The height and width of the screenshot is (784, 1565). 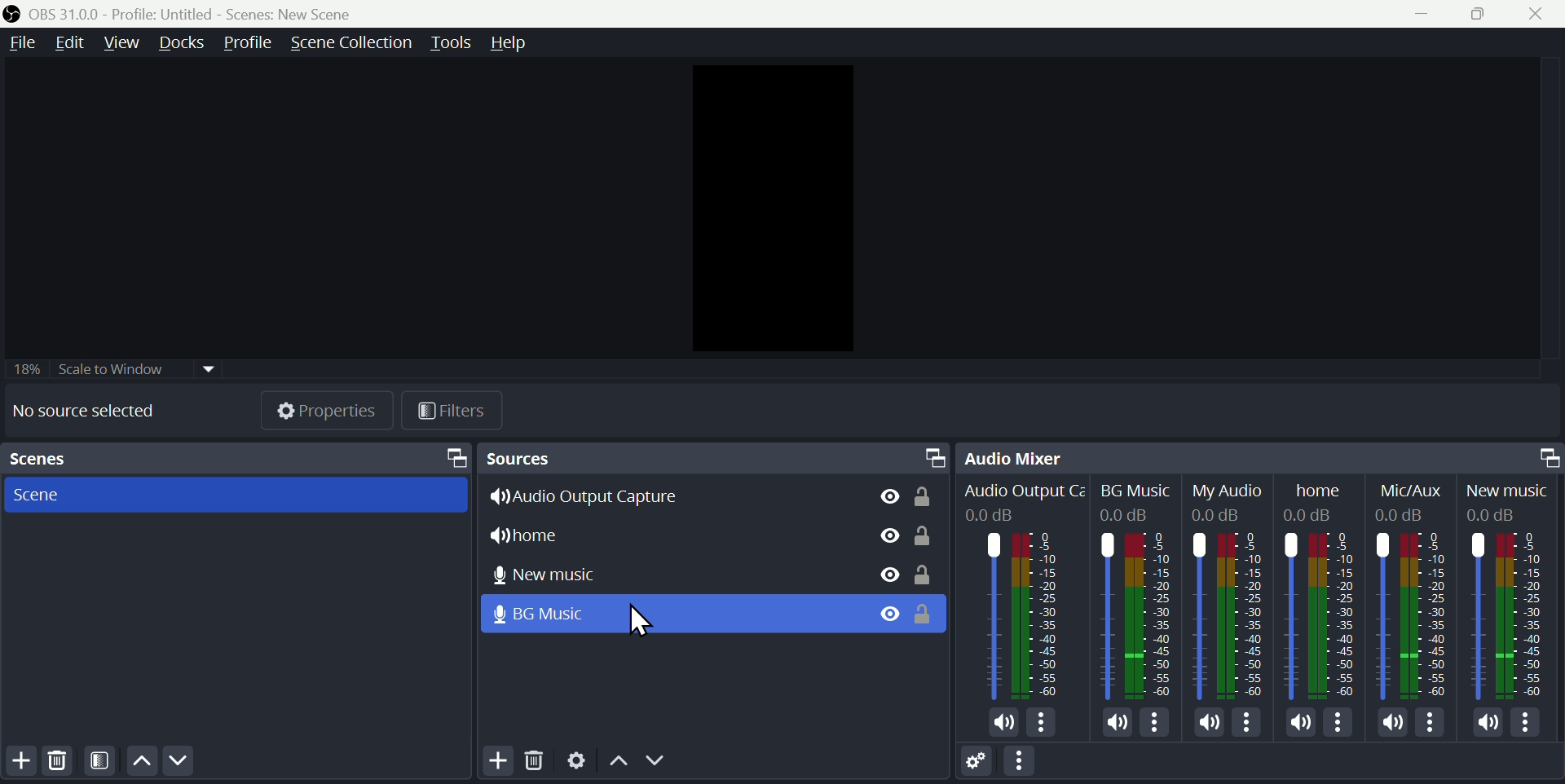 I want to click on eye, so click(x=881, y=615).